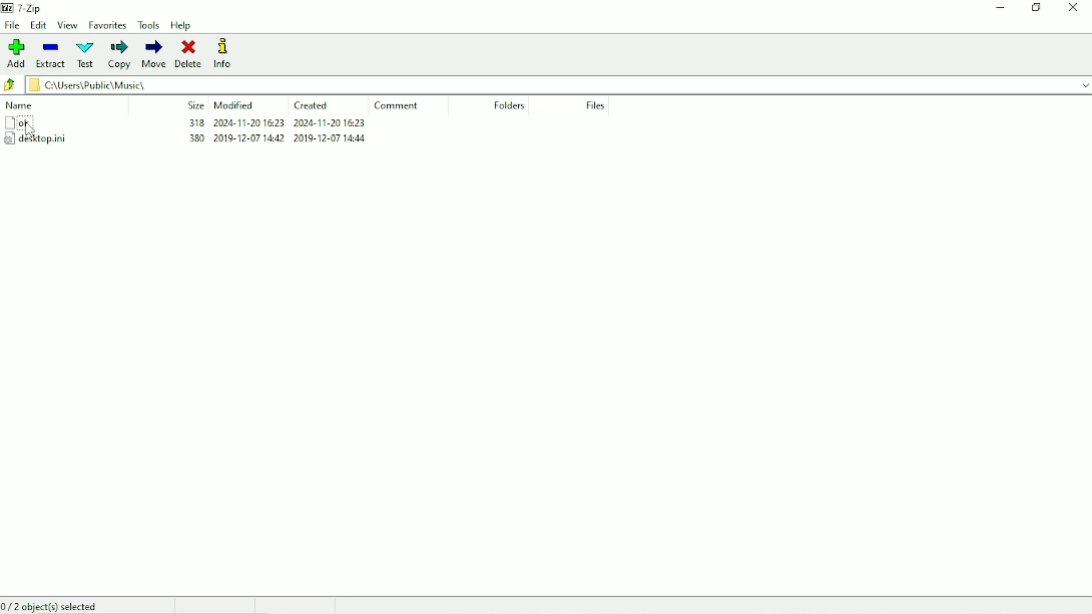 This screenshot has width=1092, height=614. Describe the element at coordinates (154, 54) in the screenshot. I see `Move` at that location.